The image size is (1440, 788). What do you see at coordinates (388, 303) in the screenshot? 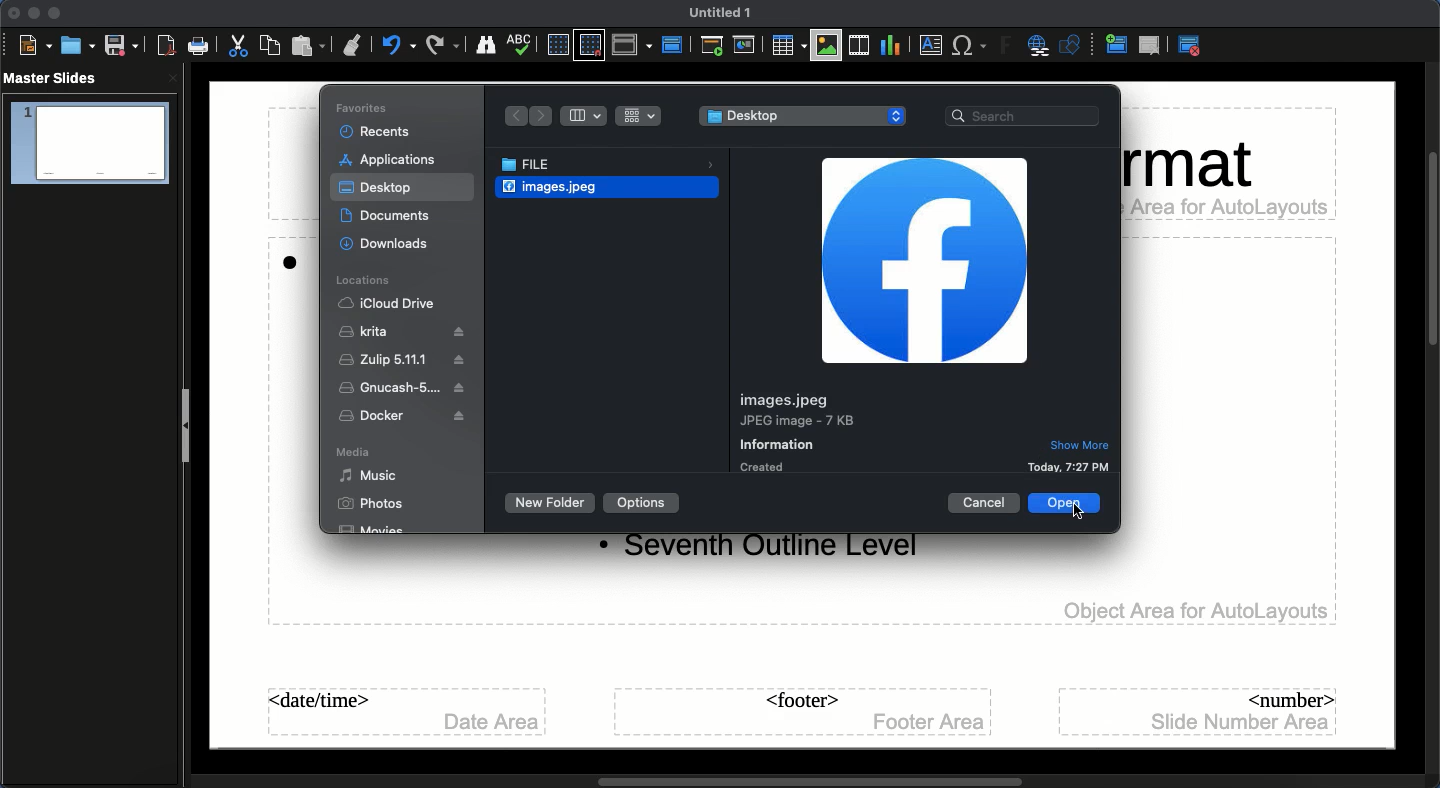
I see `iCloud Drive` at bounding box center [388, 303].